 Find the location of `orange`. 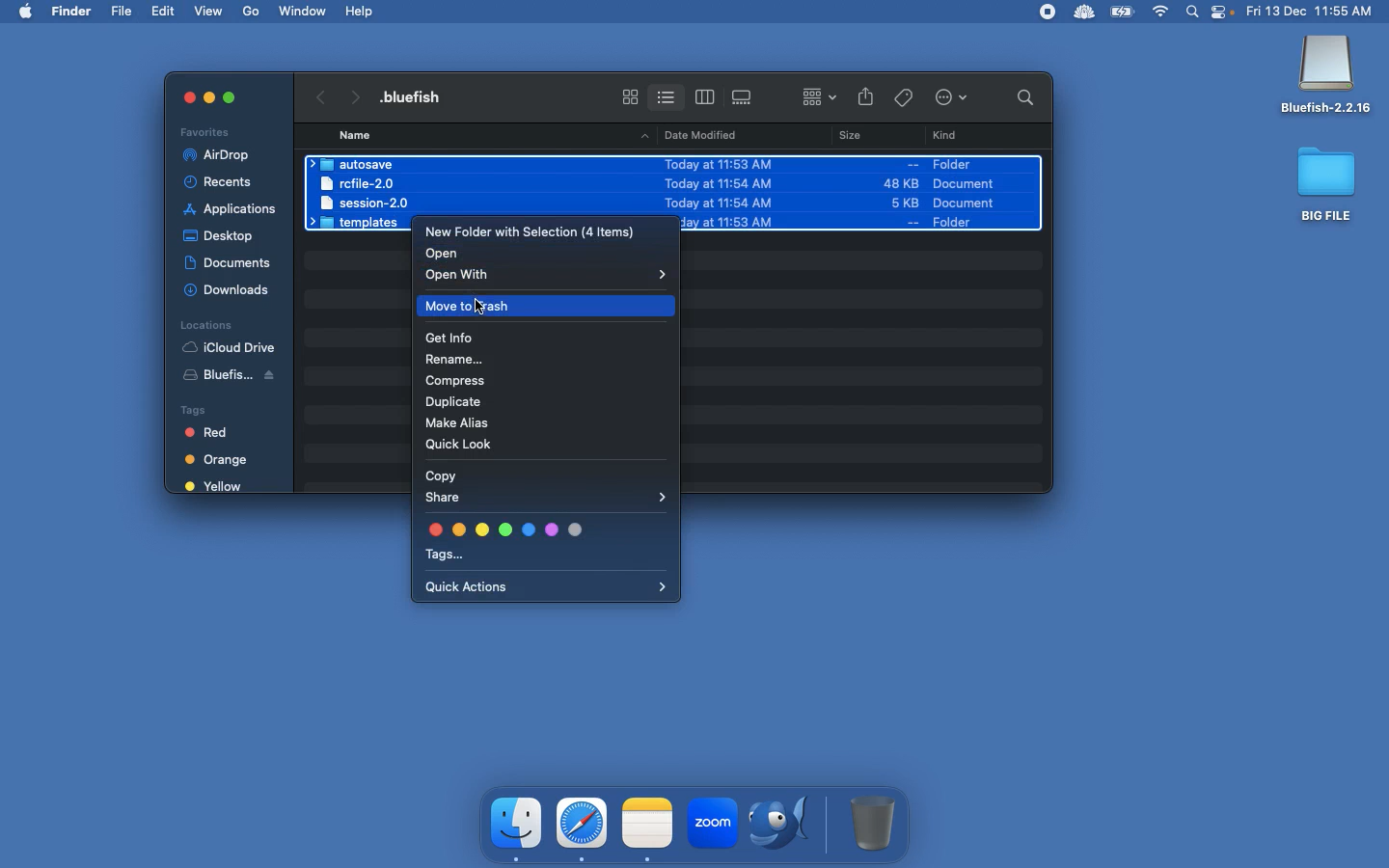

orange is located at coordinates (220, 460).